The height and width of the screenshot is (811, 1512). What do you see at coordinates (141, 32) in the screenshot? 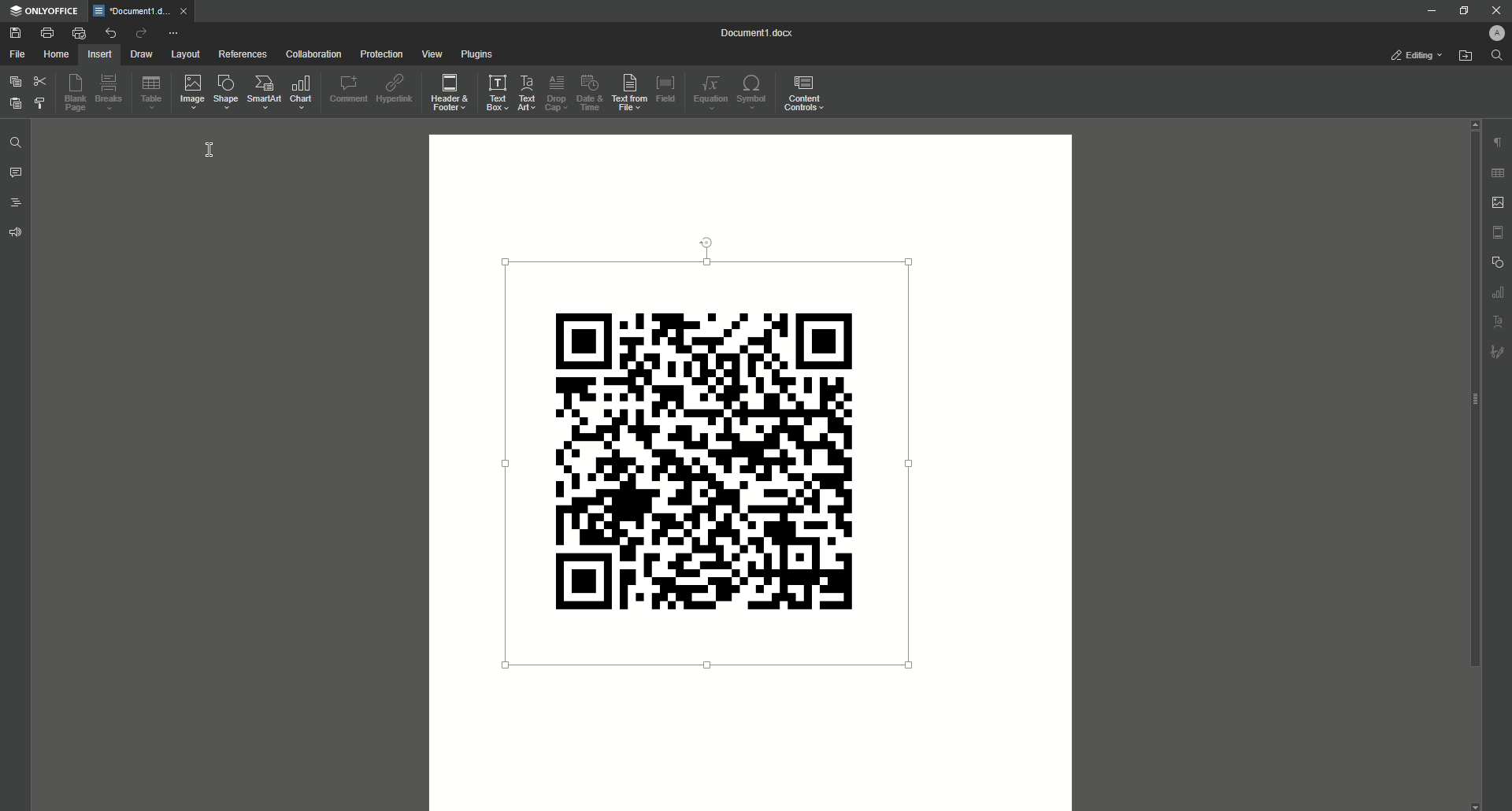
I see `Redo` at bounding box center [141, 32].